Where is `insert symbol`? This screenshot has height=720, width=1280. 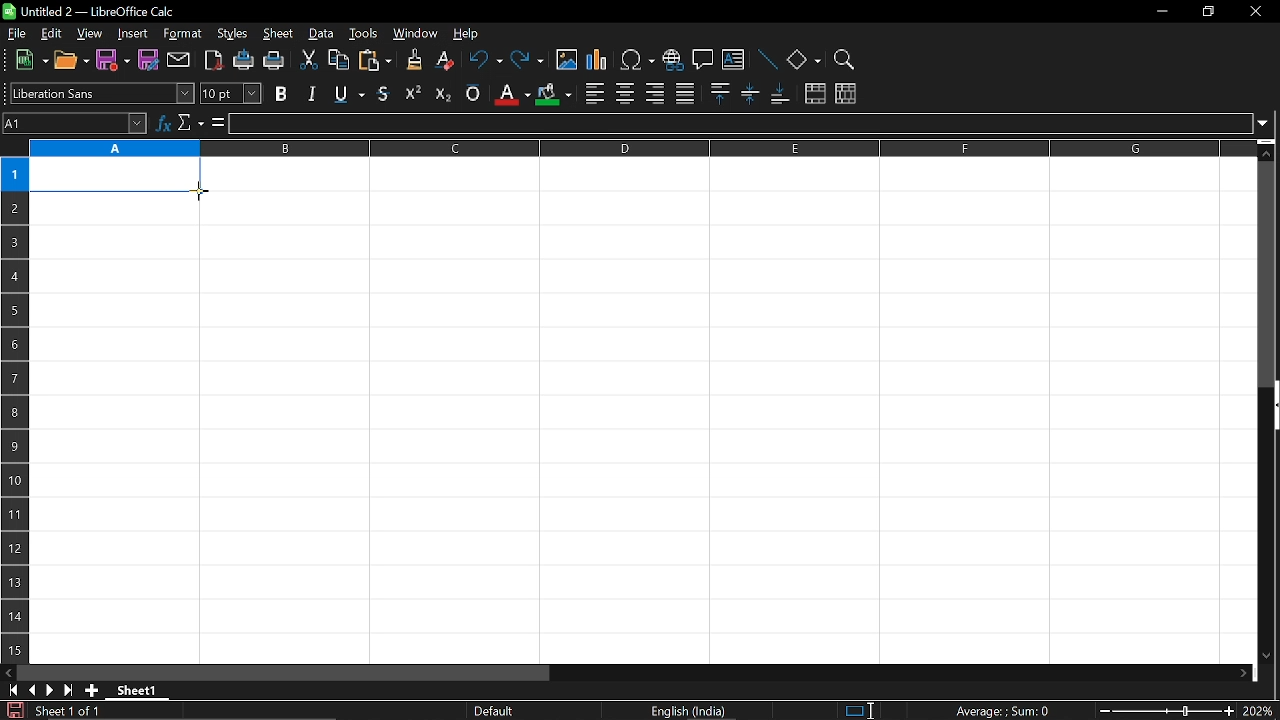
insert symbol is located at coordinates (638, 59).